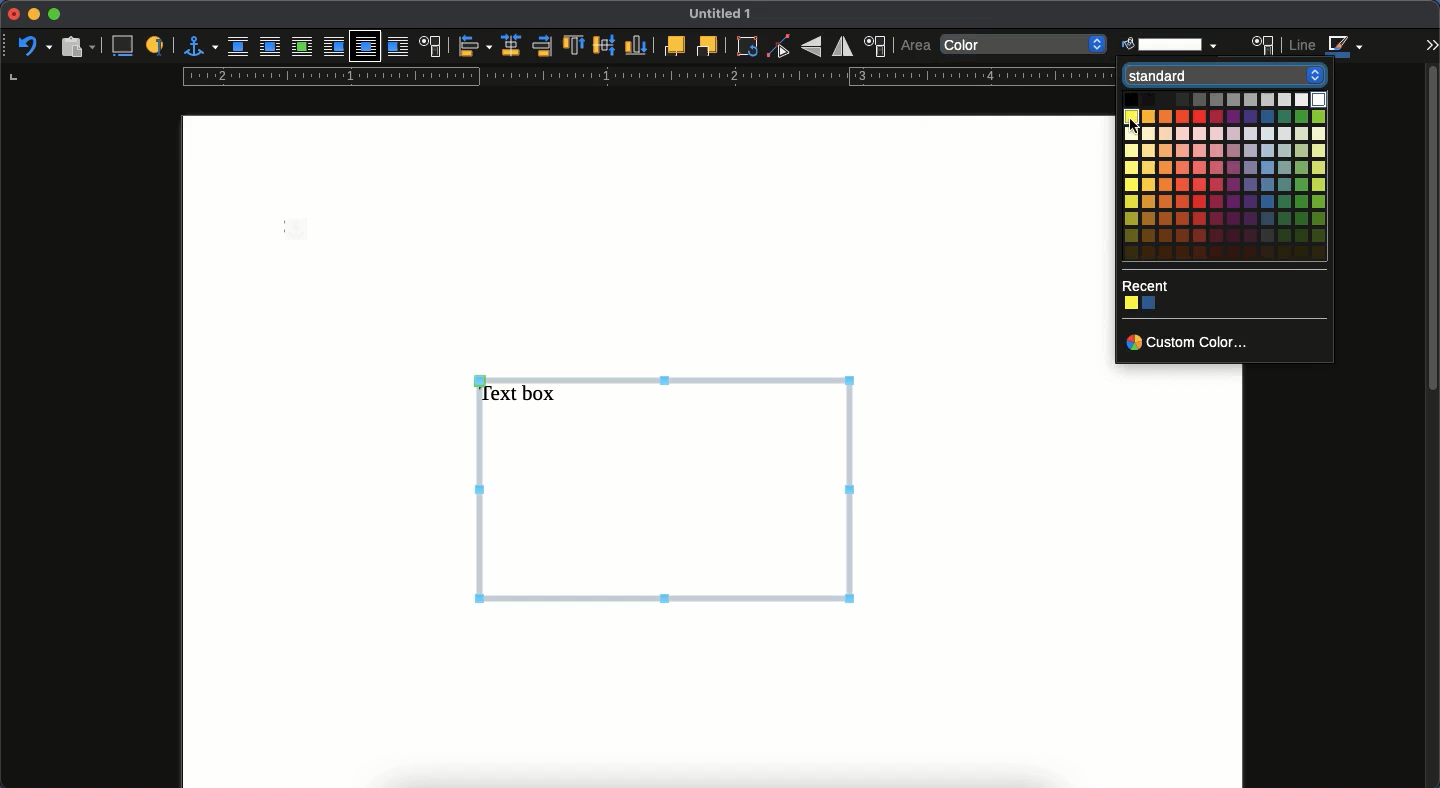  Describe the element at coordinates (1169, 42) in the screenshot. I see `fill color` at that location.